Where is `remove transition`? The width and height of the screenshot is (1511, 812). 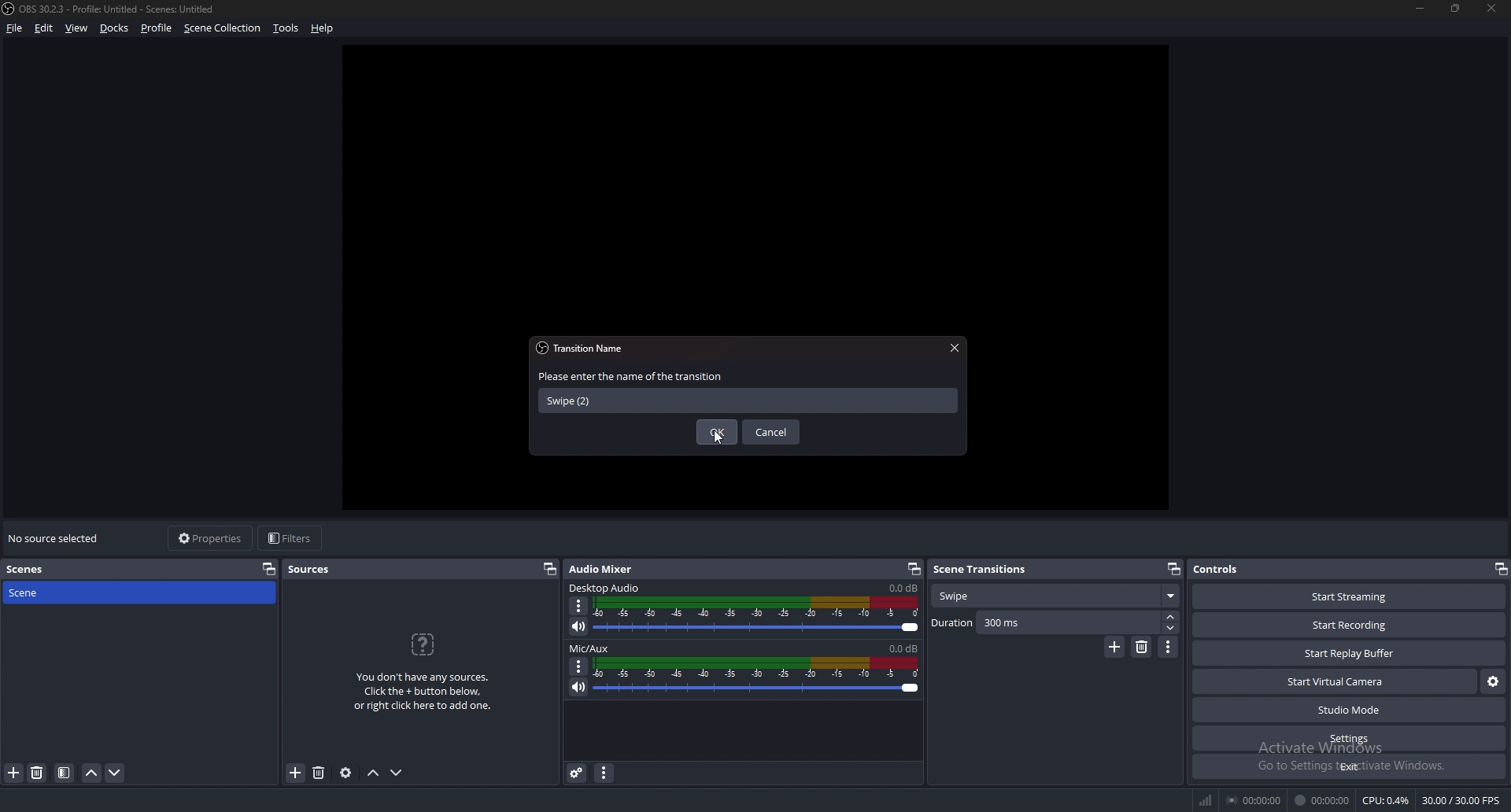
remove transition is located at coordinates (1143, 646).